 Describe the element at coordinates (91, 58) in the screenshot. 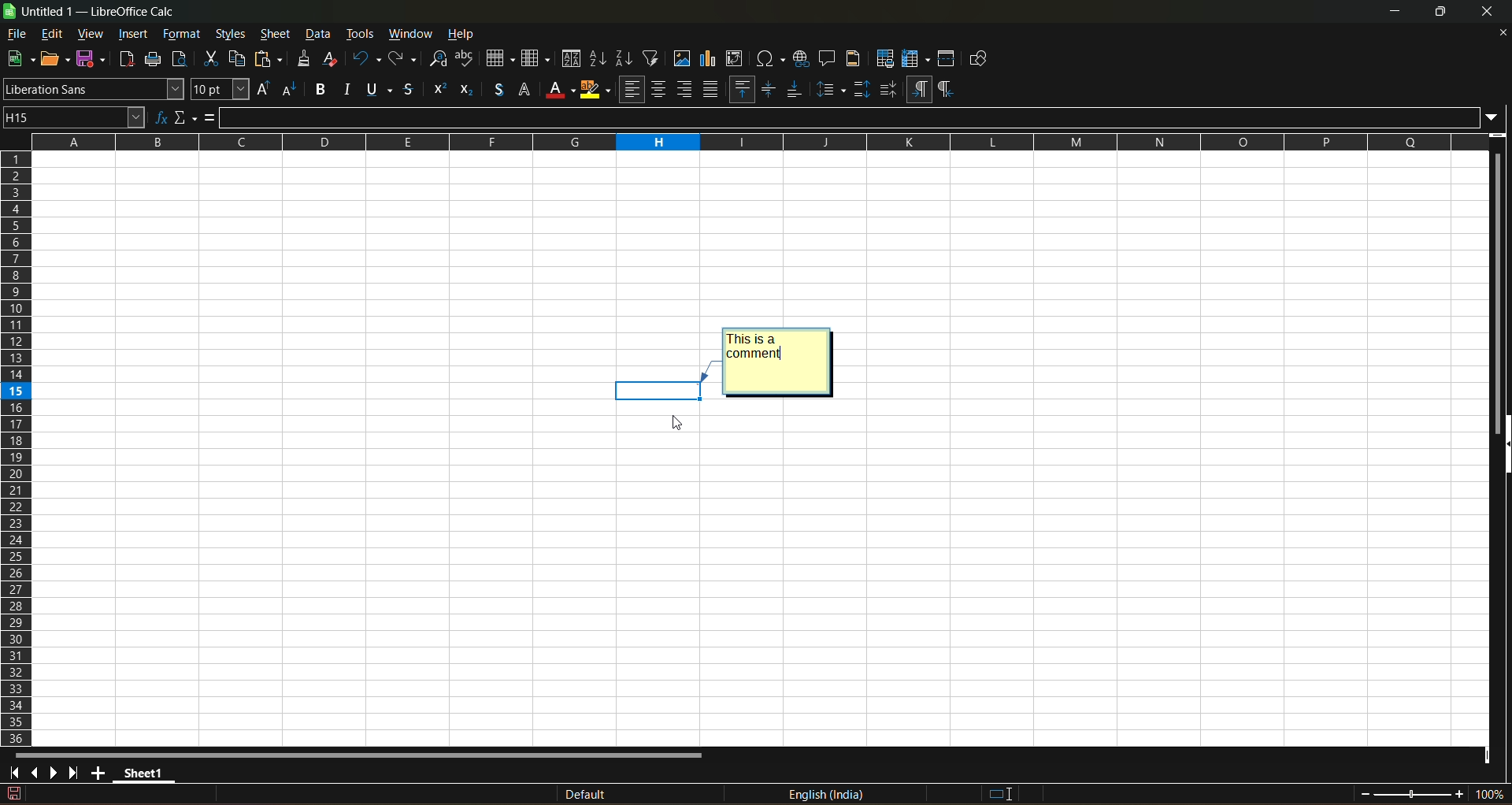

I see `save` at that location.